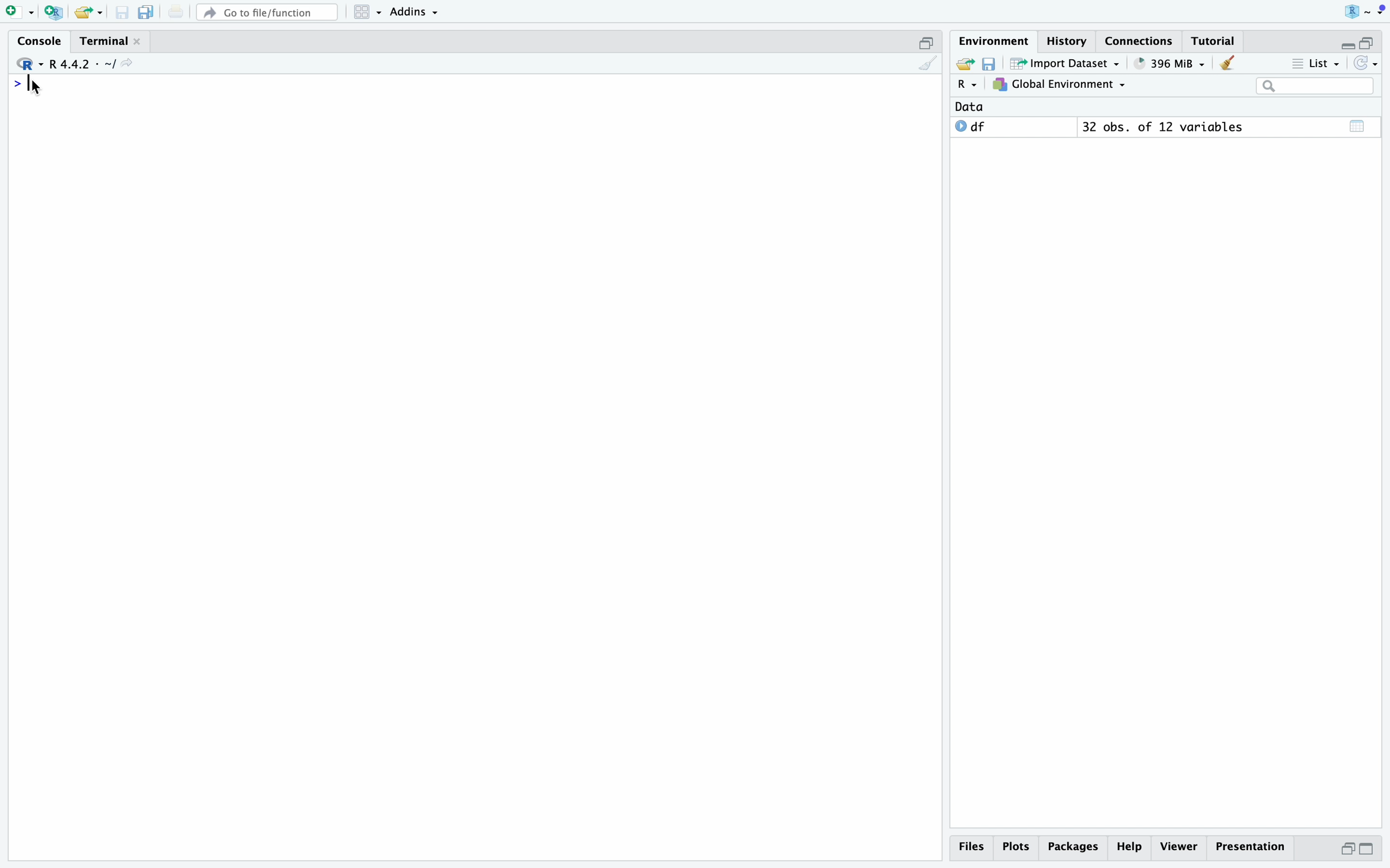 The image size is (1390, 868). I want to click on logo, so click(1362, 10).